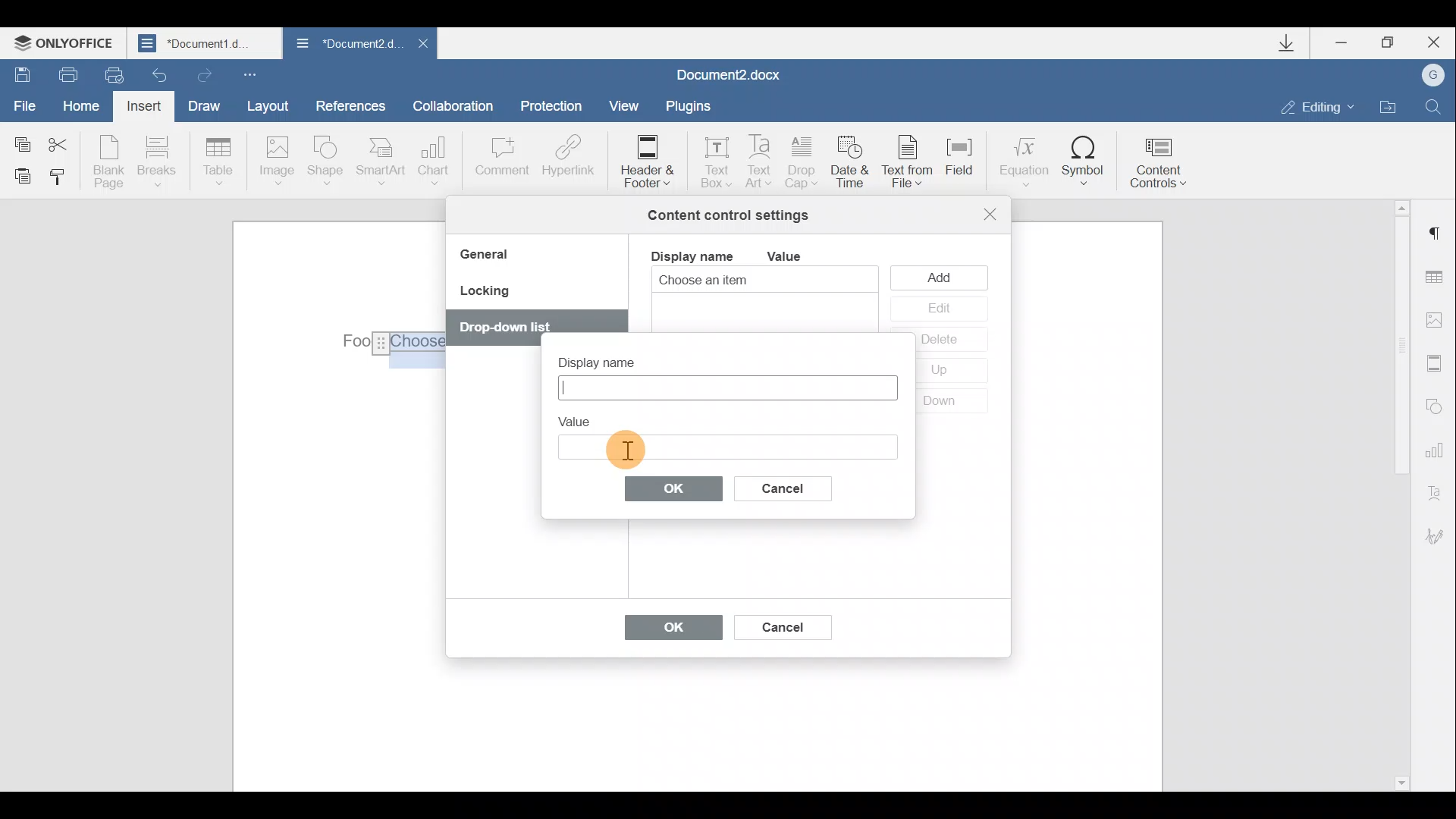 This screenshot has width=1456, height=819. Describe the element at coordinates (108, 162) in the screenshot. I see `Blank page` at that location.